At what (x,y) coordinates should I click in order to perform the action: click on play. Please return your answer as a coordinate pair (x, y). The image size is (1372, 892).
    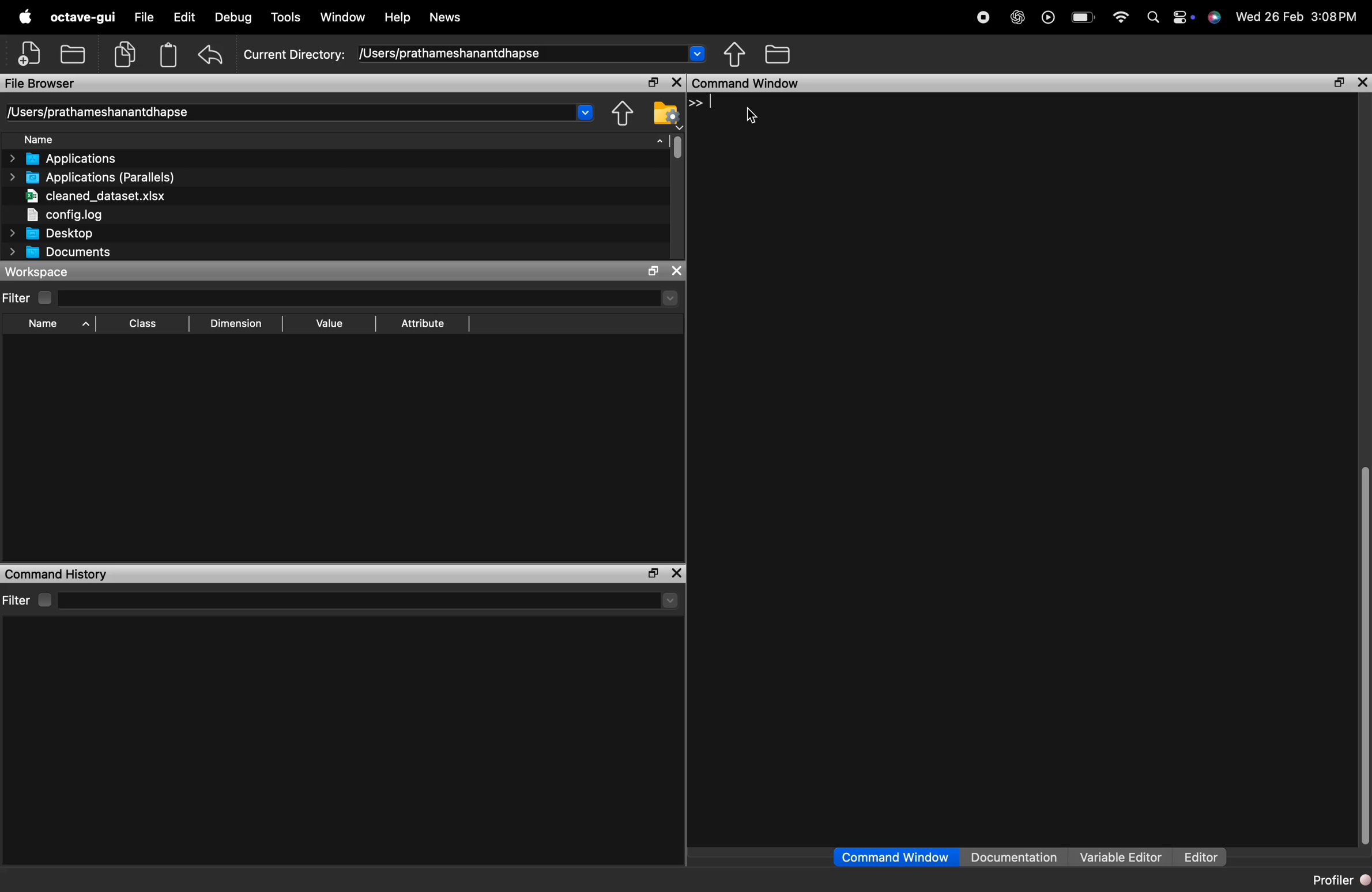
    Looking at the image, I should click on (1047, 17).